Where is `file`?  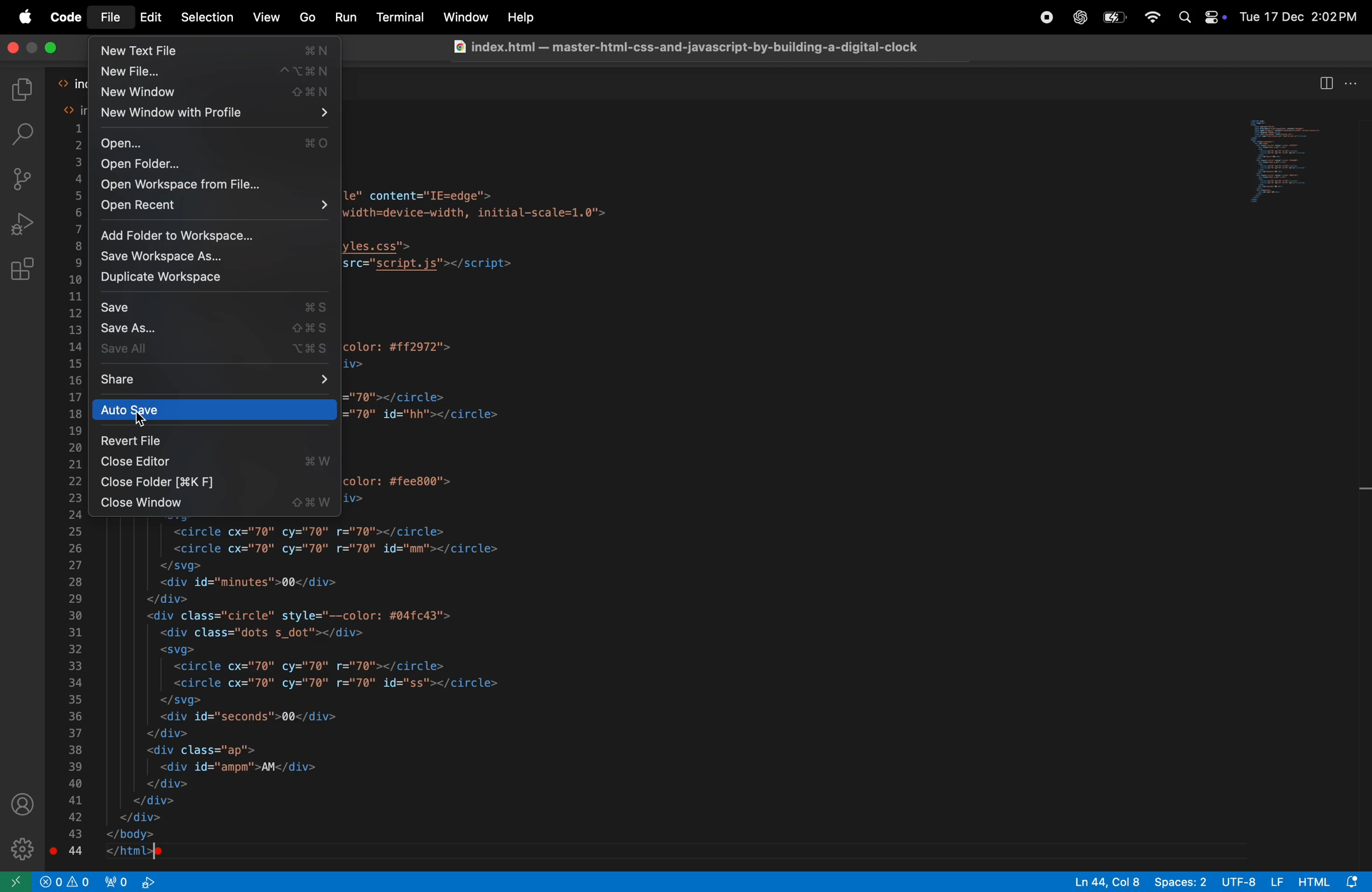
file is located at coordinates (112, 17).